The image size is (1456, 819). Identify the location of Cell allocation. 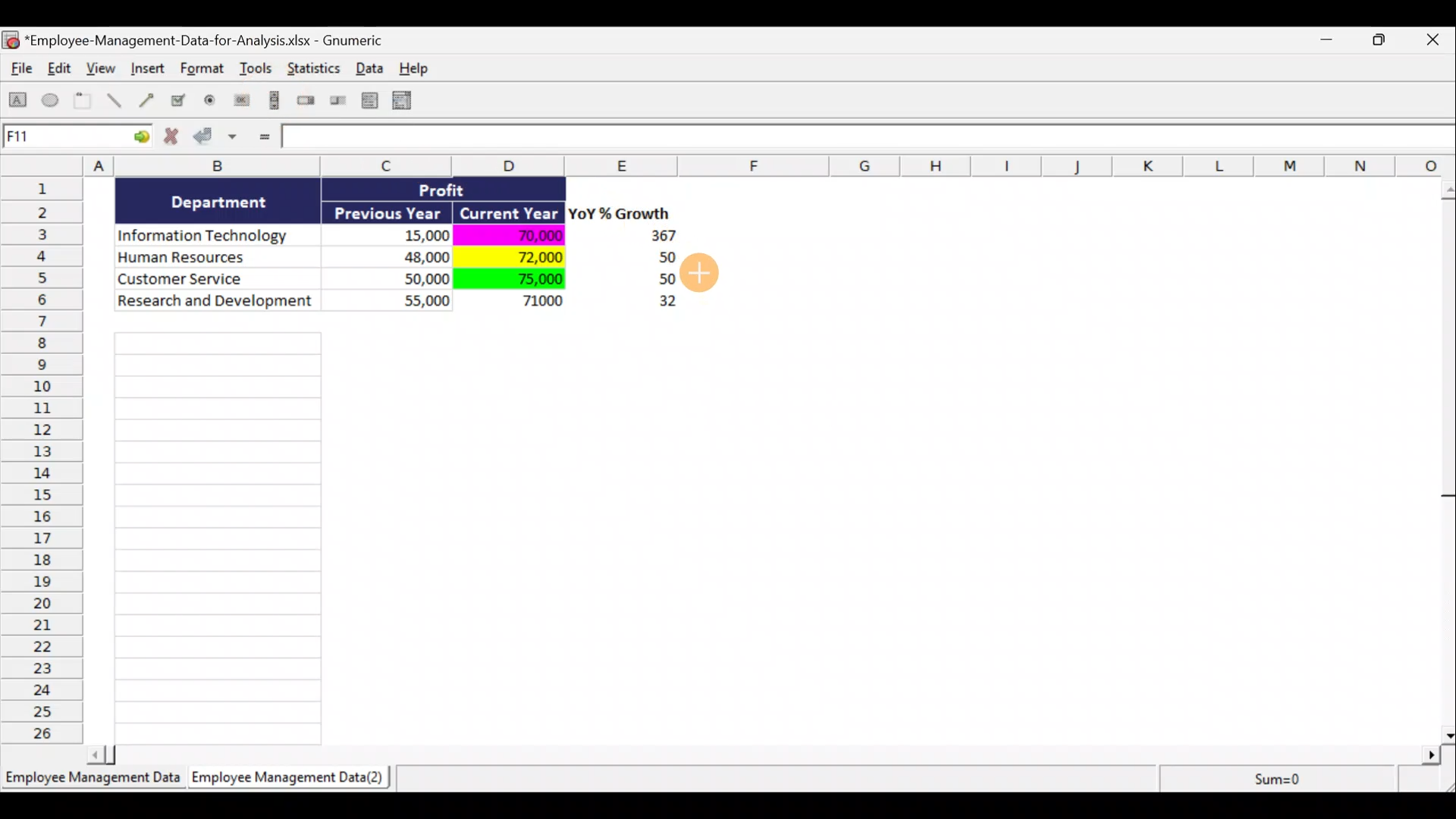
(77, 139).